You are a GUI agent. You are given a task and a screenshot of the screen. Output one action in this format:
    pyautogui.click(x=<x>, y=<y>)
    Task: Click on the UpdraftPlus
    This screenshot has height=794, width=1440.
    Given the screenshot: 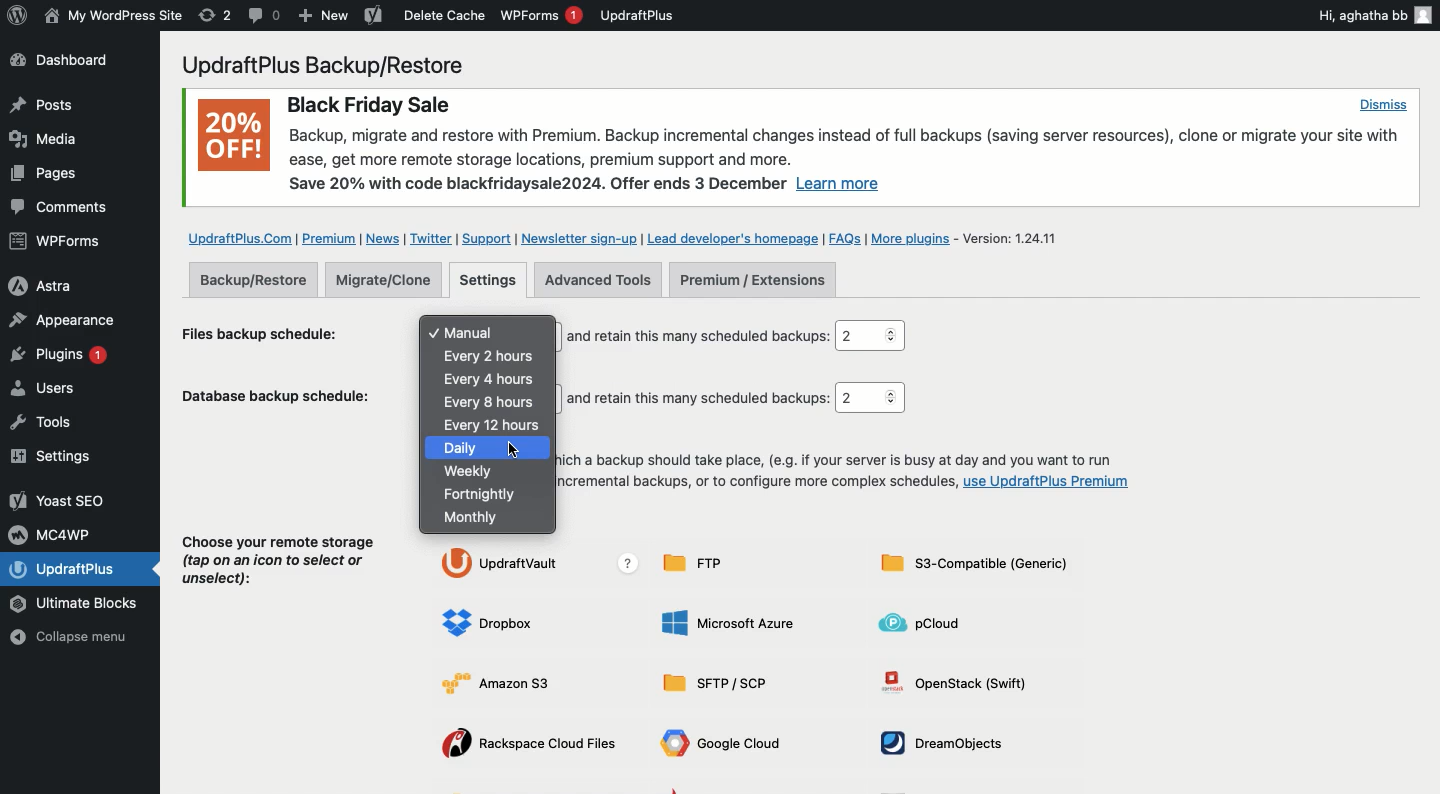 What is the action you would take?
    pyautogui.click(x=638, y=15)
    